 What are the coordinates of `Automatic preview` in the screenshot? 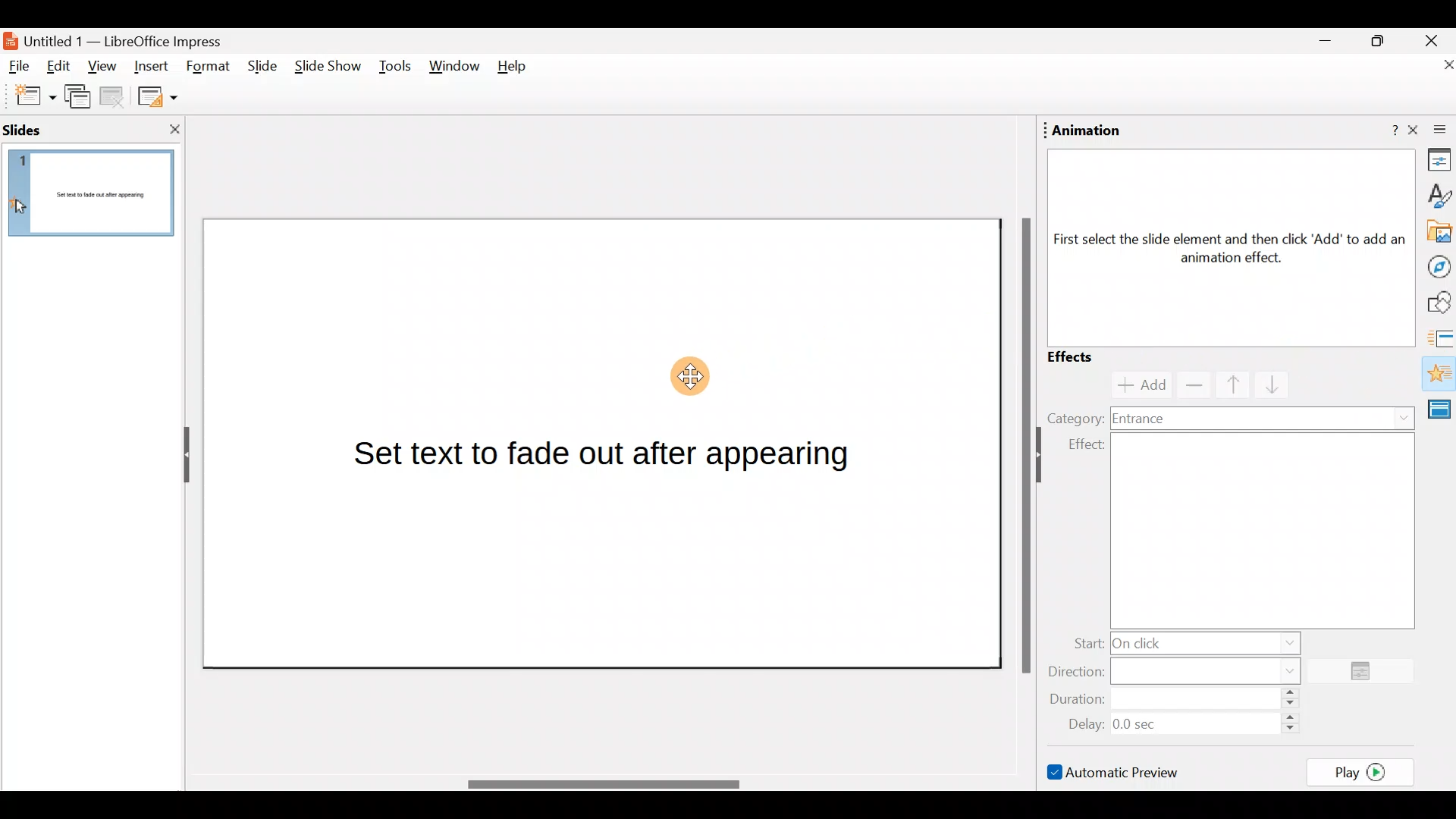 It's located at (1116, 771).